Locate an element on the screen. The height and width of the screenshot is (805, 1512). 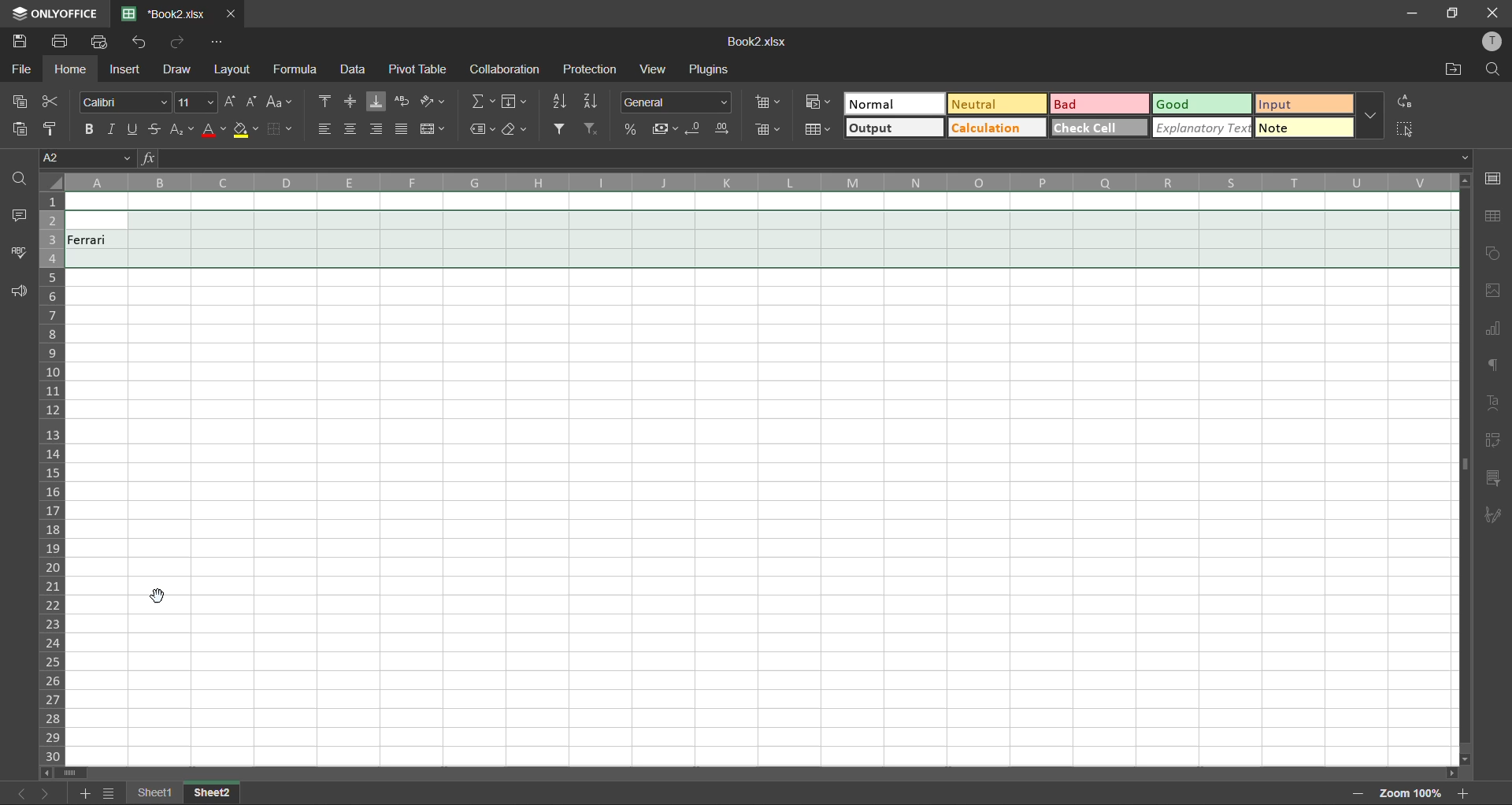
format as table is located at coordinates (821, 131).